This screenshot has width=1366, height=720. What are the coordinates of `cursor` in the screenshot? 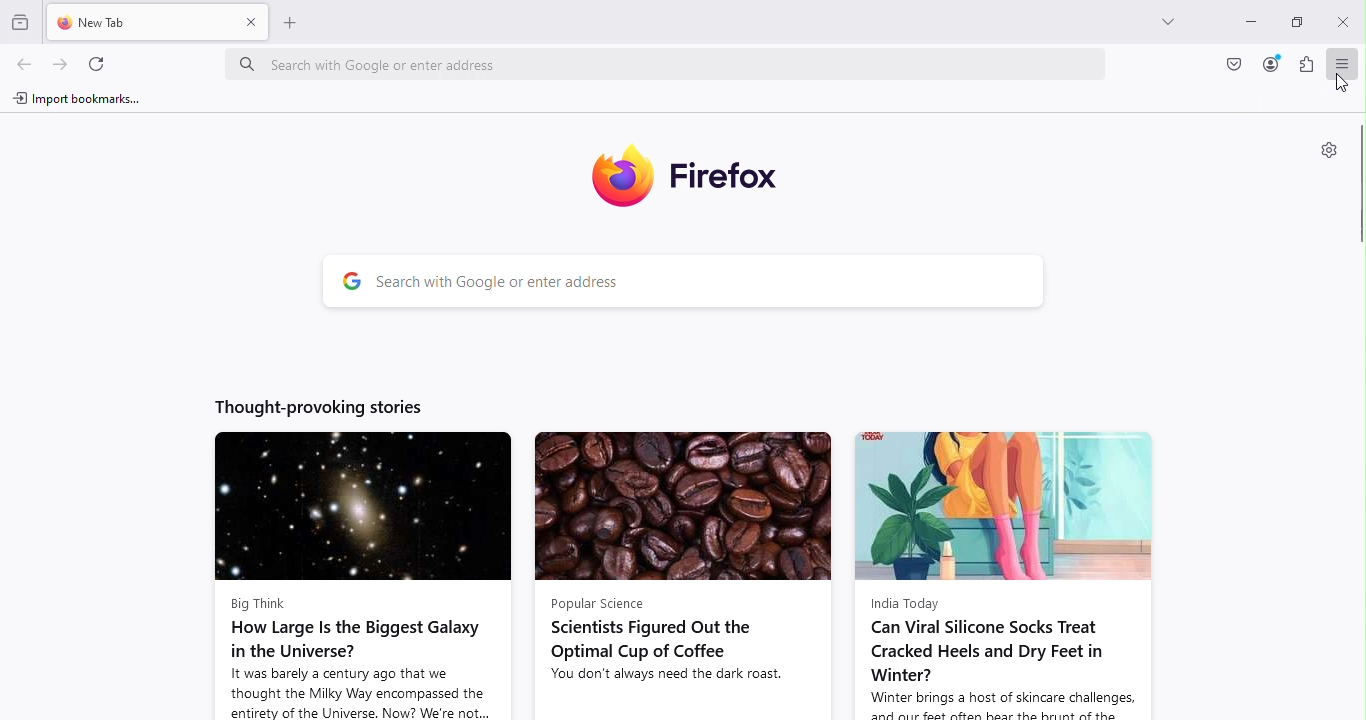 It's located at (1340, 83).